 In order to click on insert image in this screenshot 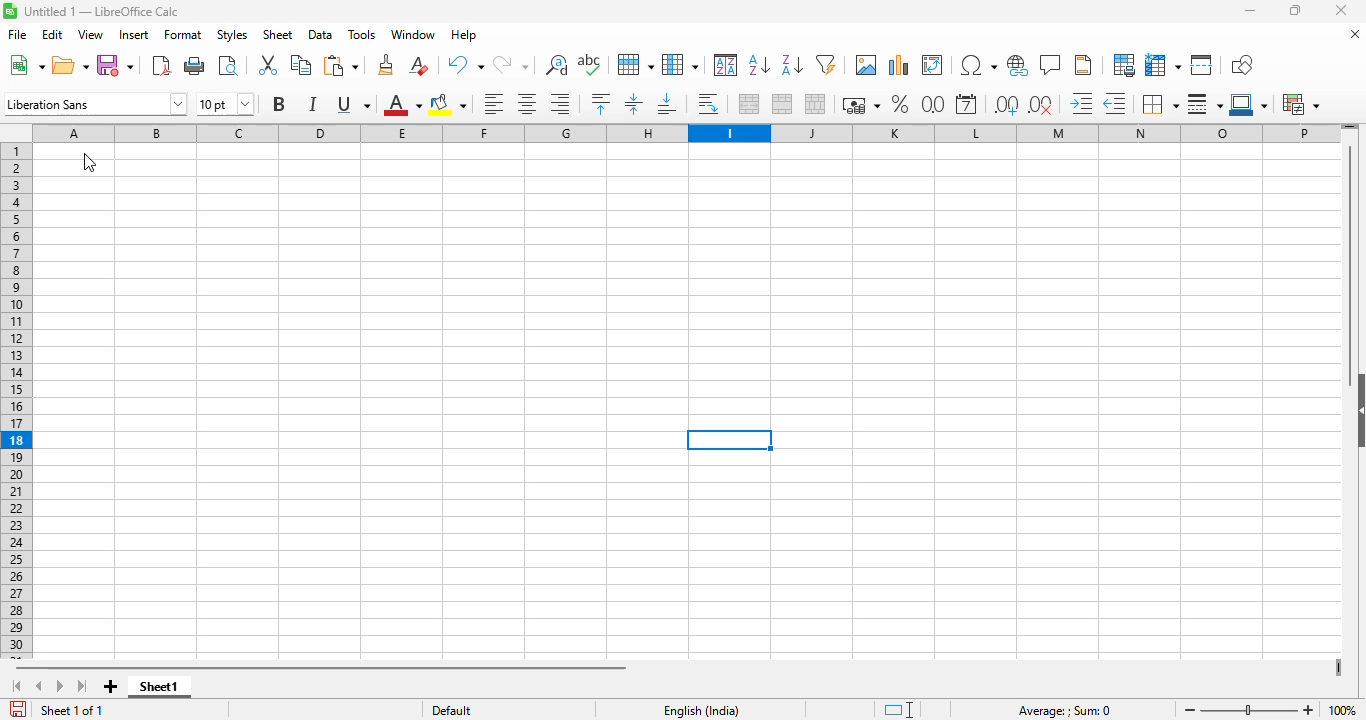, I will do `click(867, 65)`.